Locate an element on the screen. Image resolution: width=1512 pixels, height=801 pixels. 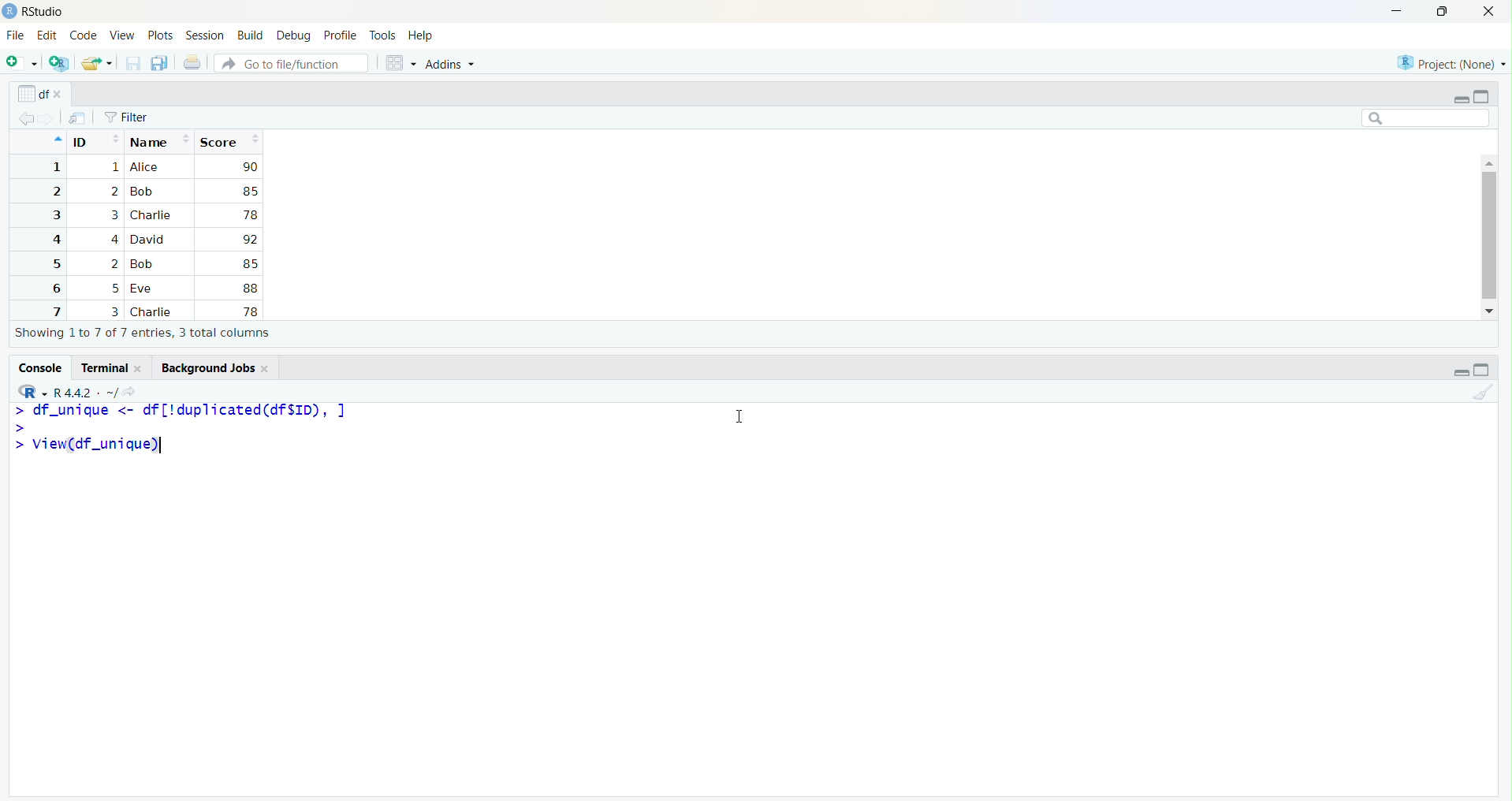
7 is located at coordinates (54, 311).